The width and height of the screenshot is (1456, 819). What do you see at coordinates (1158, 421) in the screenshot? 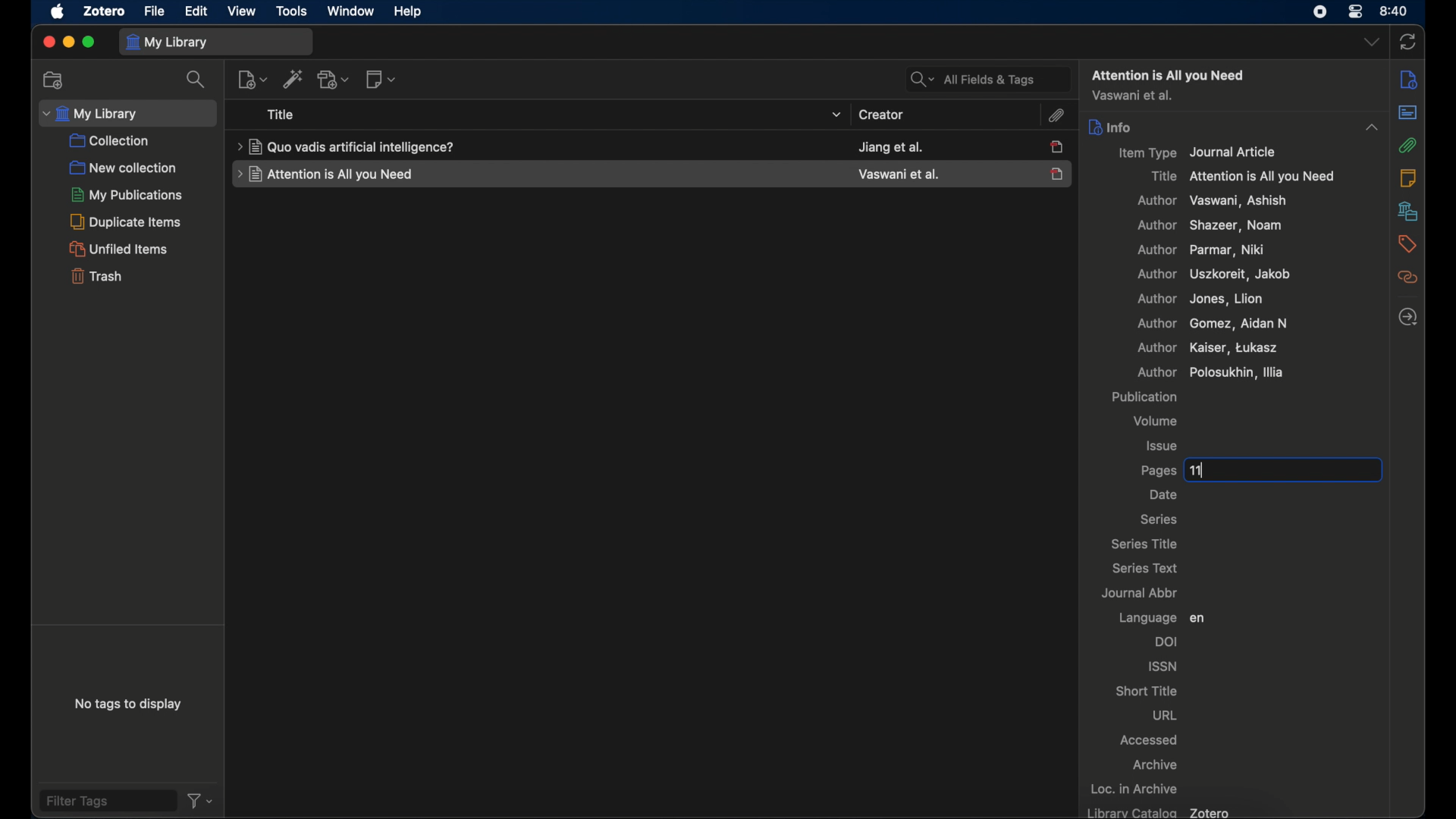
I see `volume` at bounding box center [1158, 421].